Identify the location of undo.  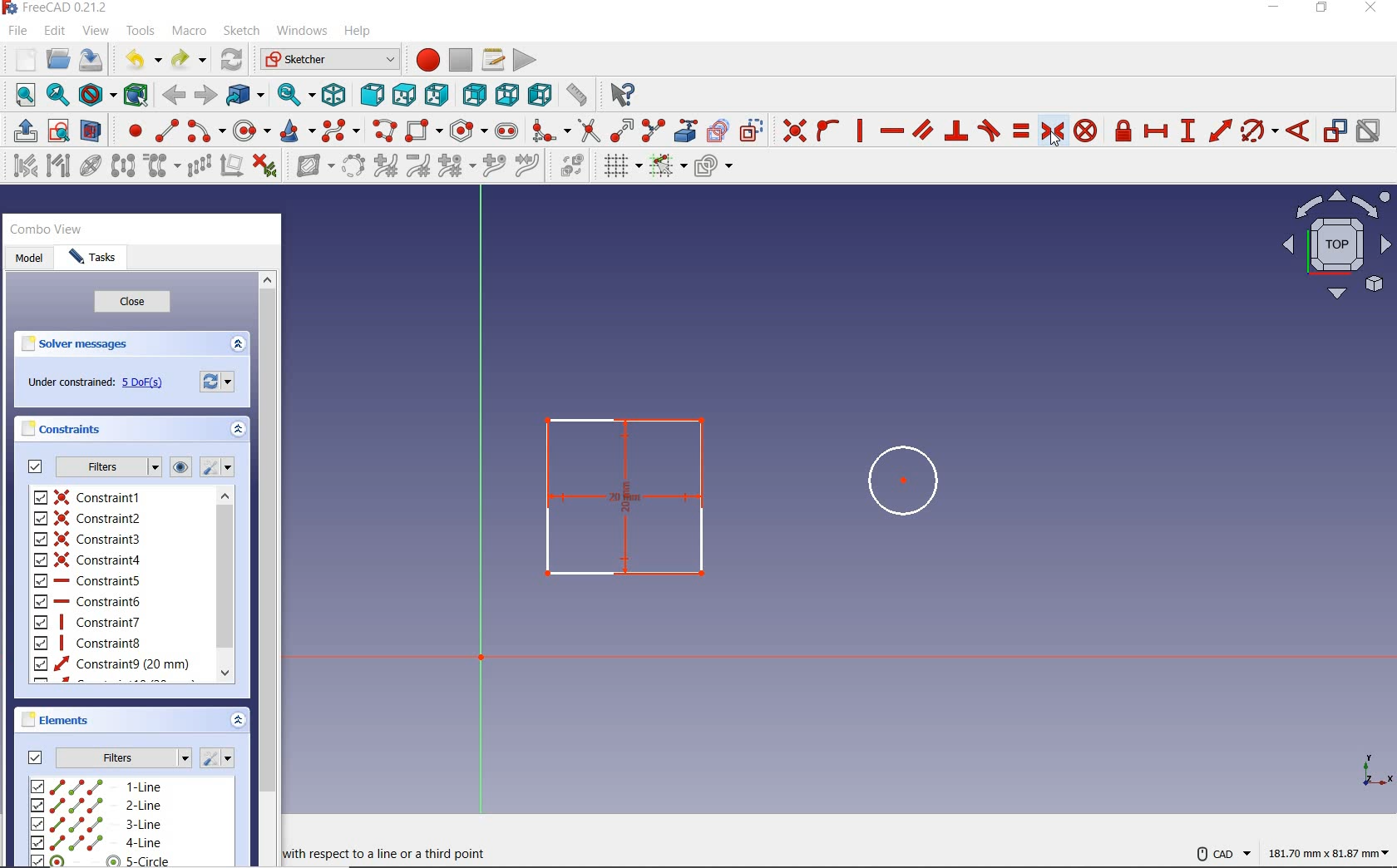
(140, 58).